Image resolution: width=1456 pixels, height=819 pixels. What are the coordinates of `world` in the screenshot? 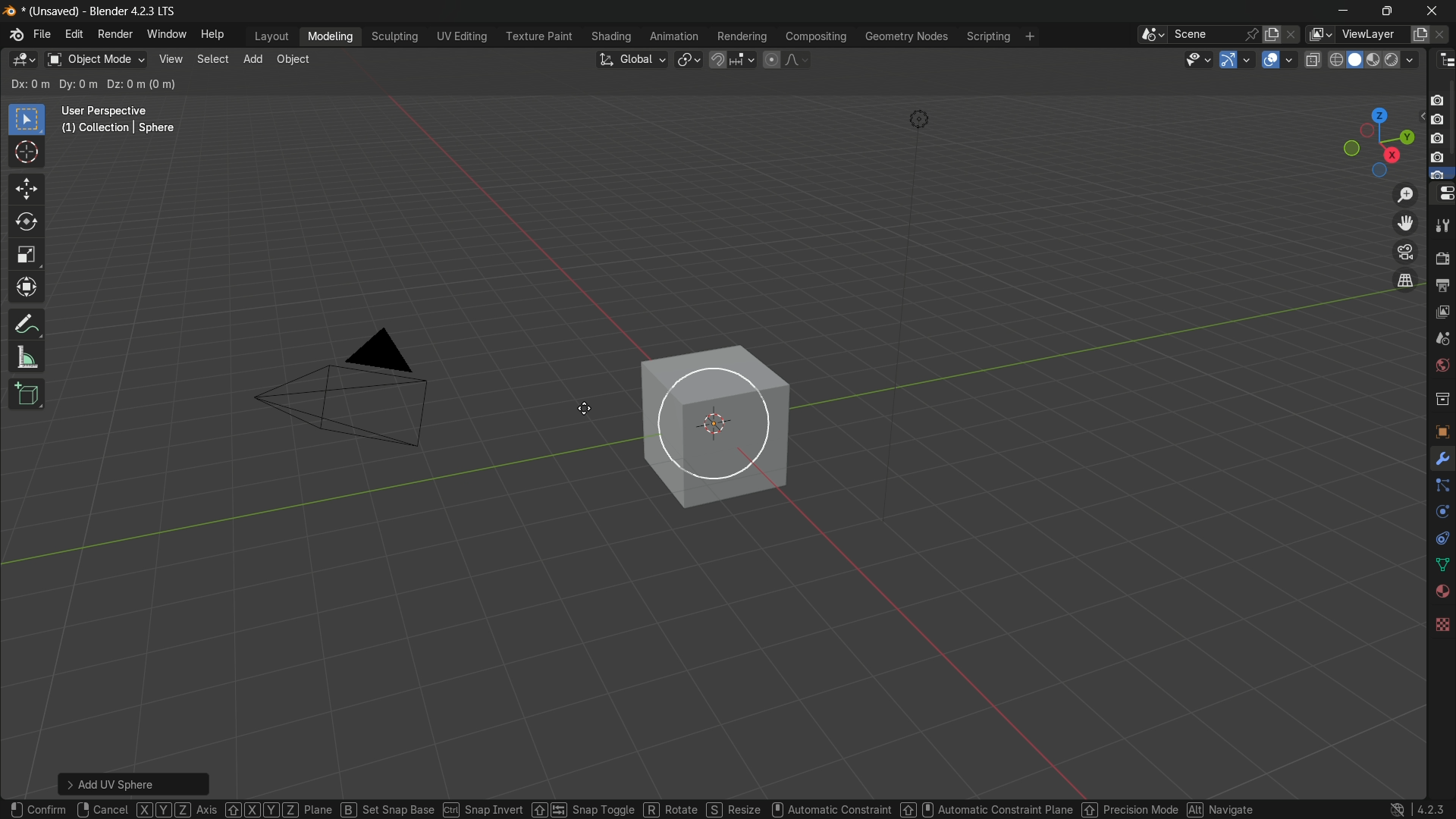 It's located at (1442, 366).